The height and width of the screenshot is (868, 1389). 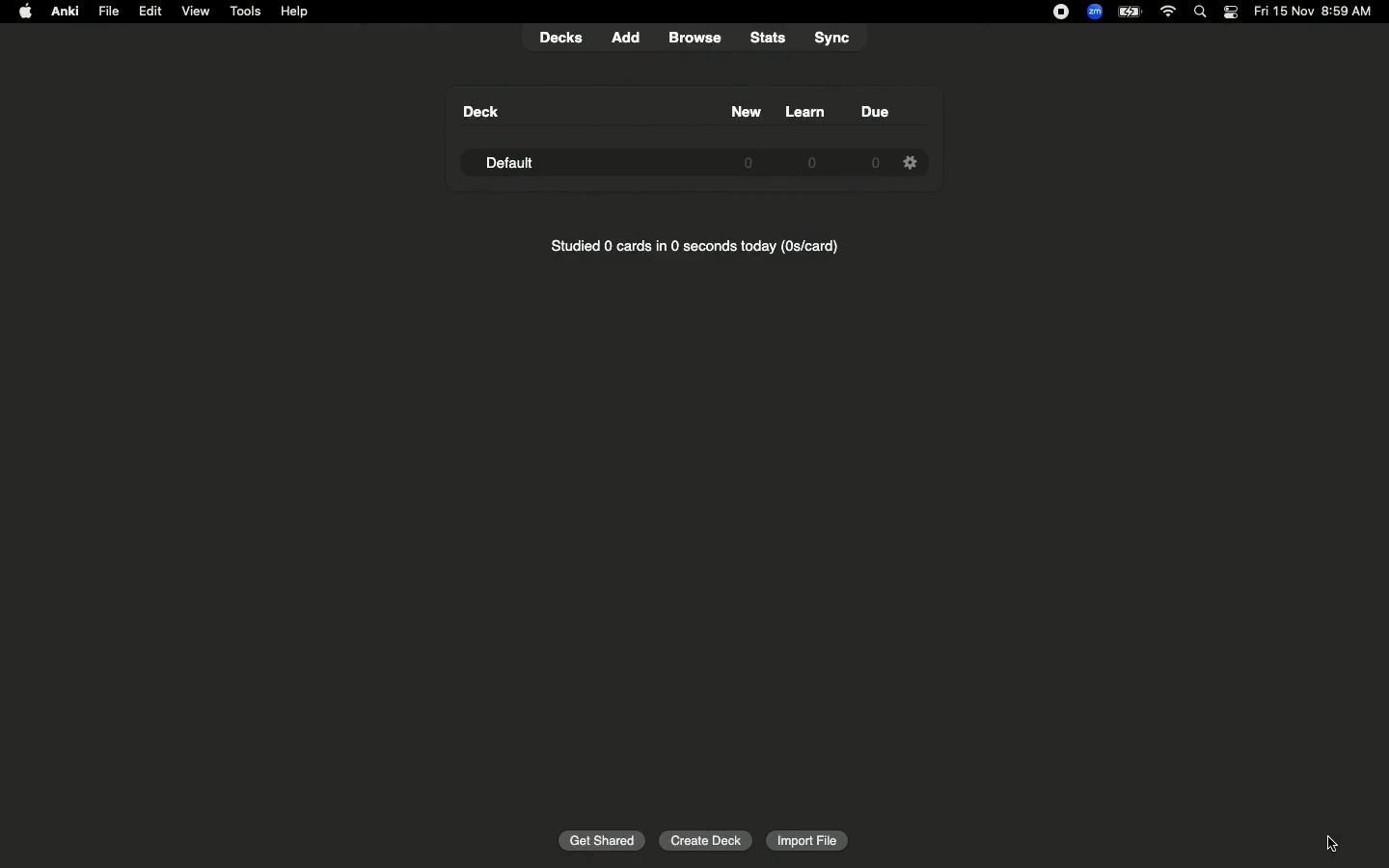 I want to click on Due, so click(x=879, y=112).